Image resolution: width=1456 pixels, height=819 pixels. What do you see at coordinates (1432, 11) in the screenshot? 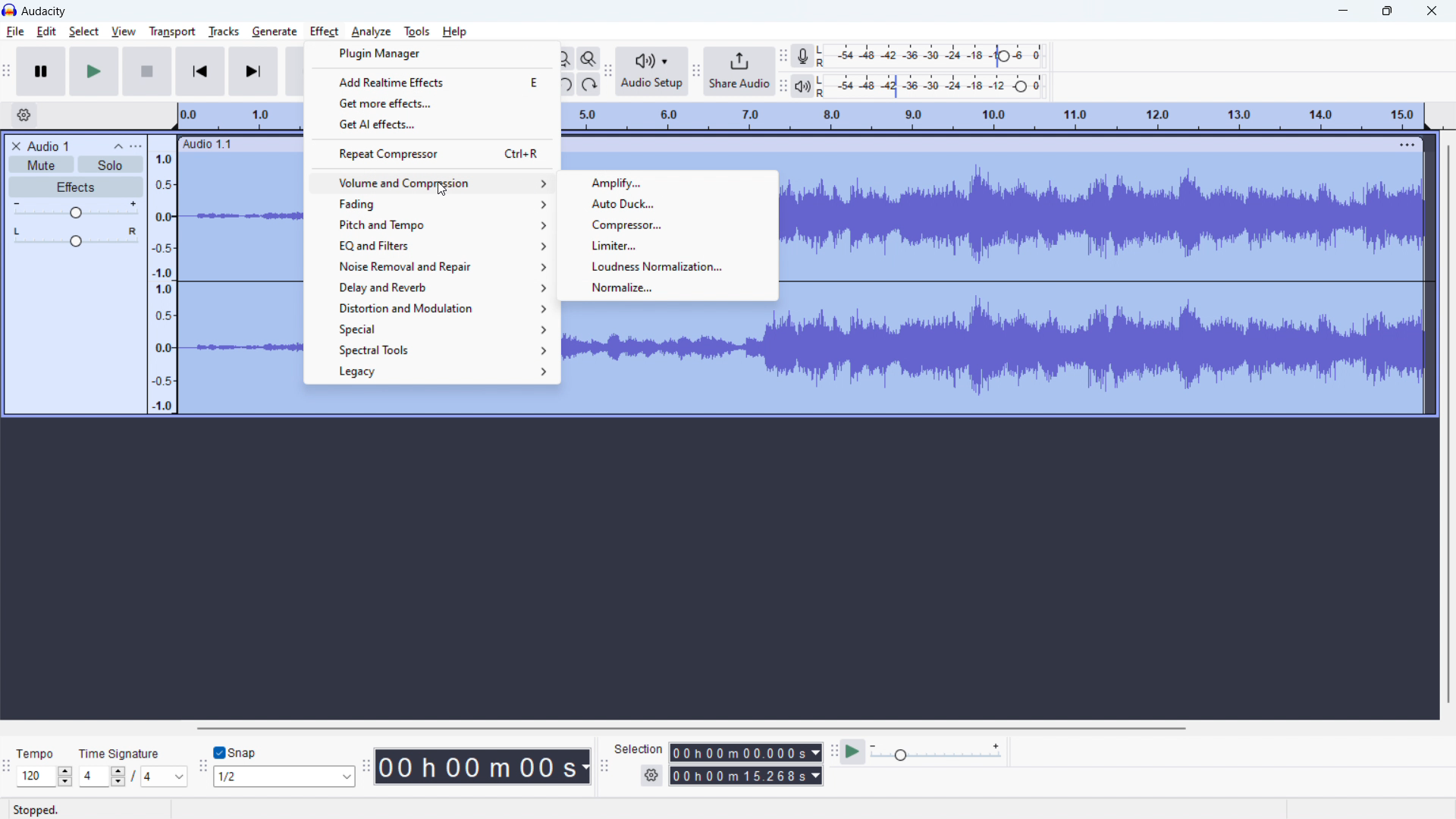
I see `close` at bounding box center [1432, 11].